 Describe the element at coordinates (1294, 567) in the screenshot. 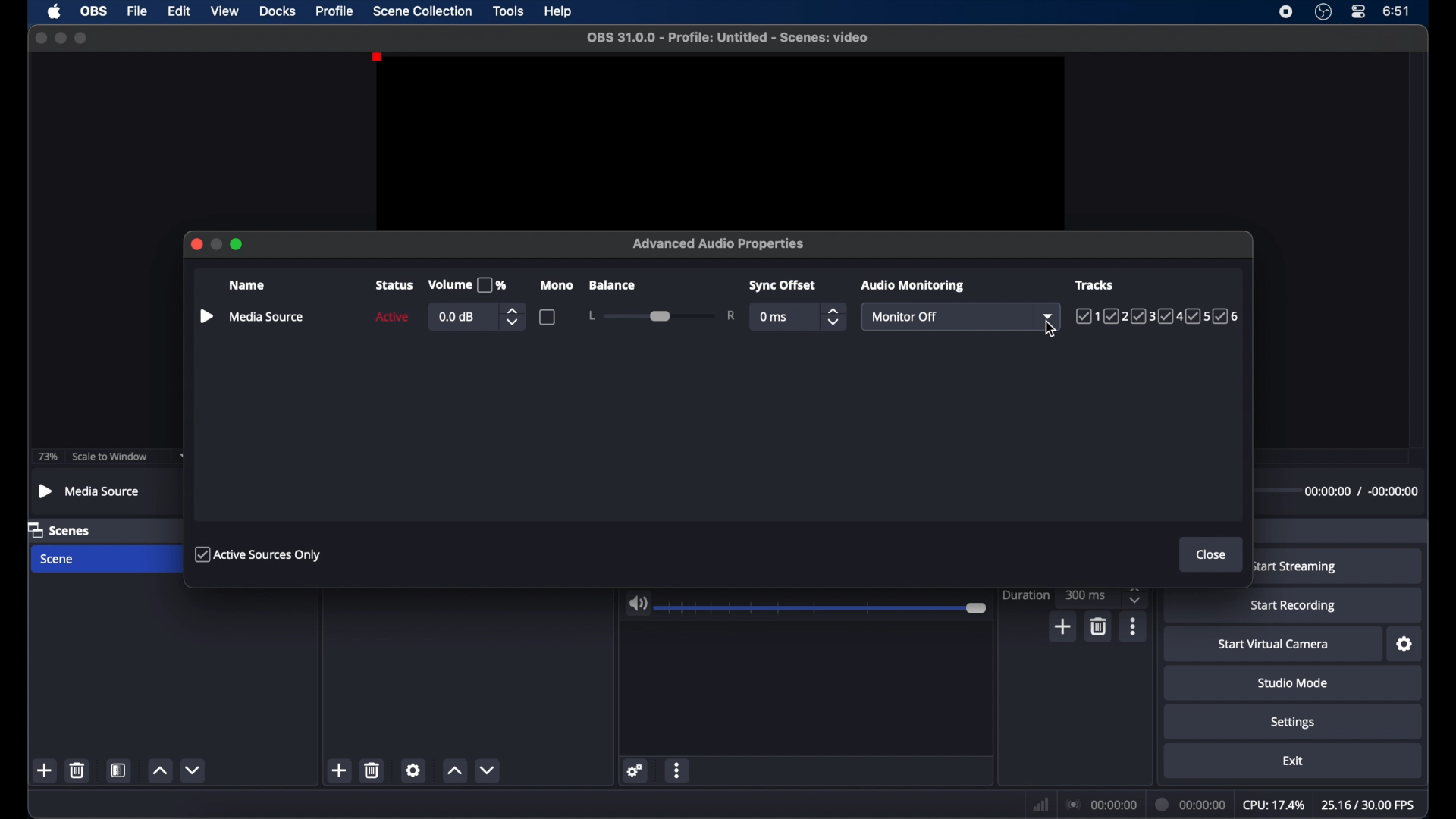

I see `start streaming` at that location.